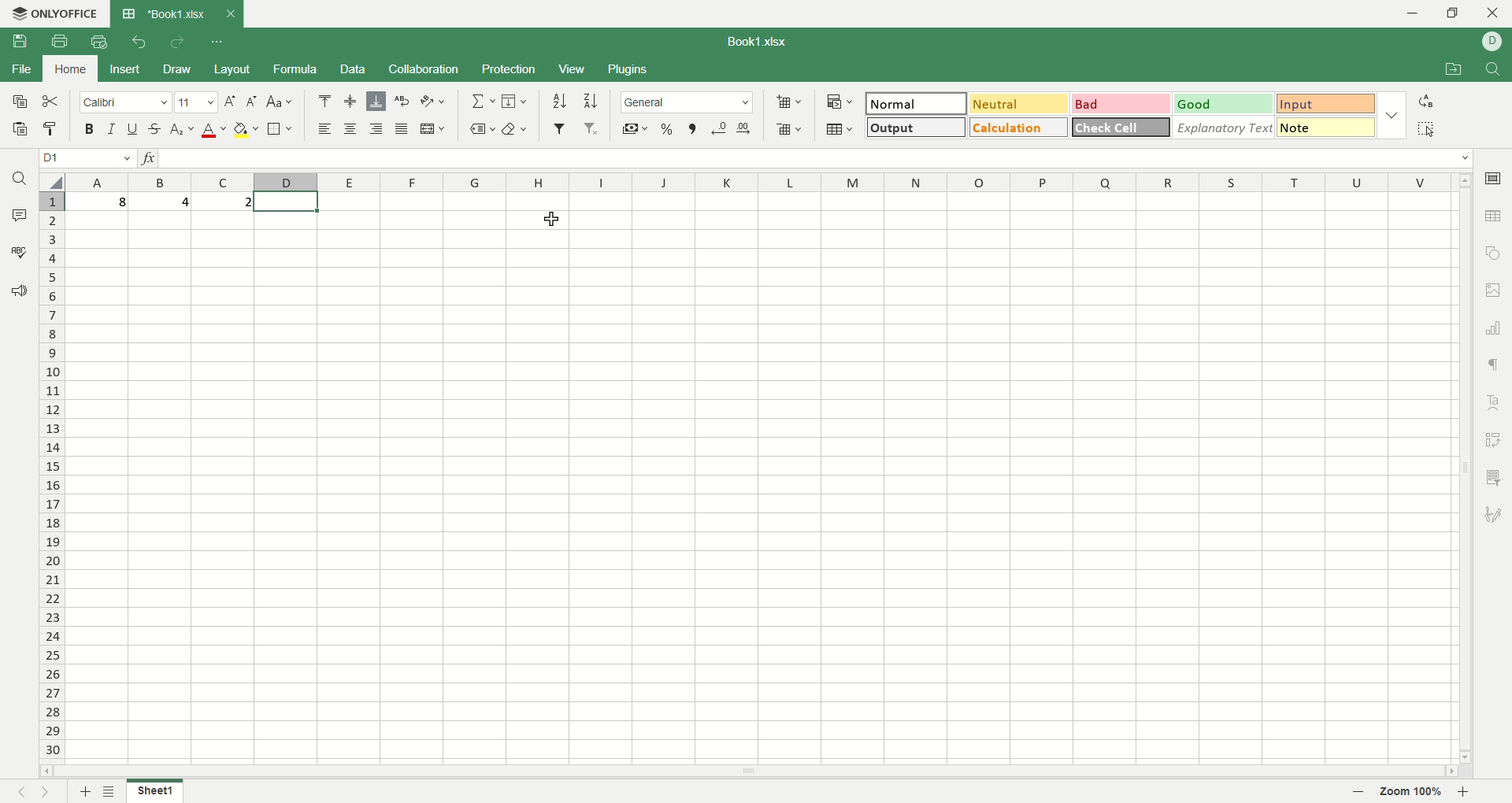 The image size is (1512, 803). I want to click on strikethrough, so click(157, 129).